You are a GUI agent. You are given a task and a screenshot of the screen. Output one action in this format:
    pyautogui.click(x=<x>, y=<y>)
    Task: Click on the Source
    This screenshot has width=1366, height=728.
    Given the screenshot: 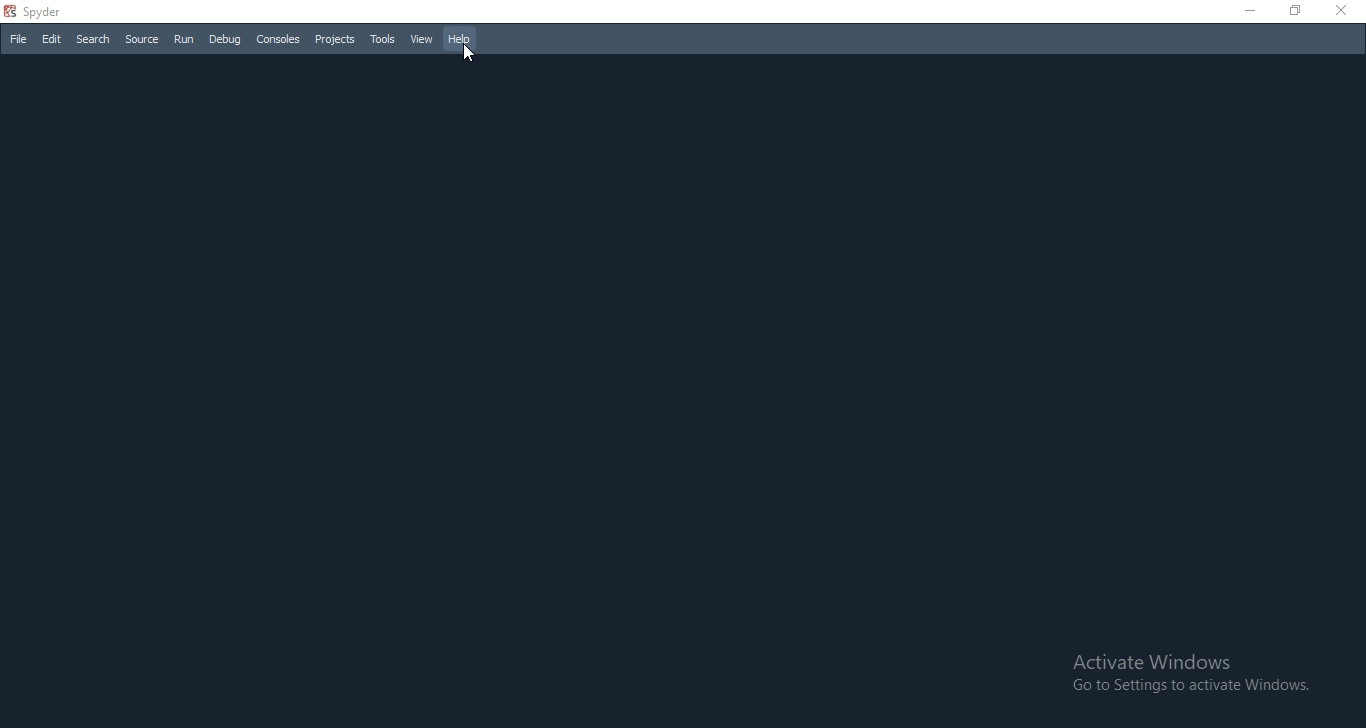 What is the action you would take?
    pyautogui.click(x=142, y=40)
    